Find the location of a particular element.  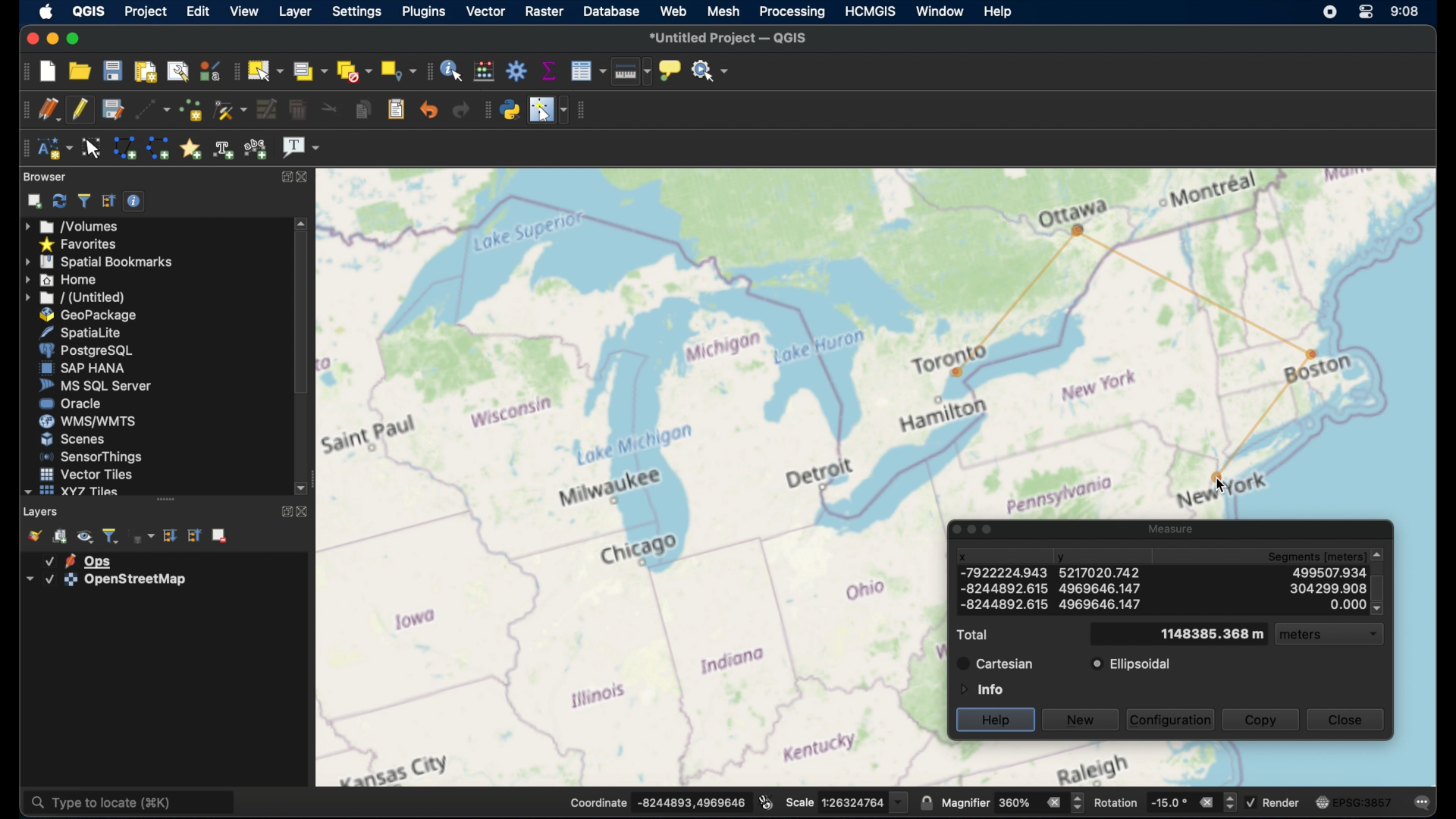

measure line is located at coordinates (632, 74).